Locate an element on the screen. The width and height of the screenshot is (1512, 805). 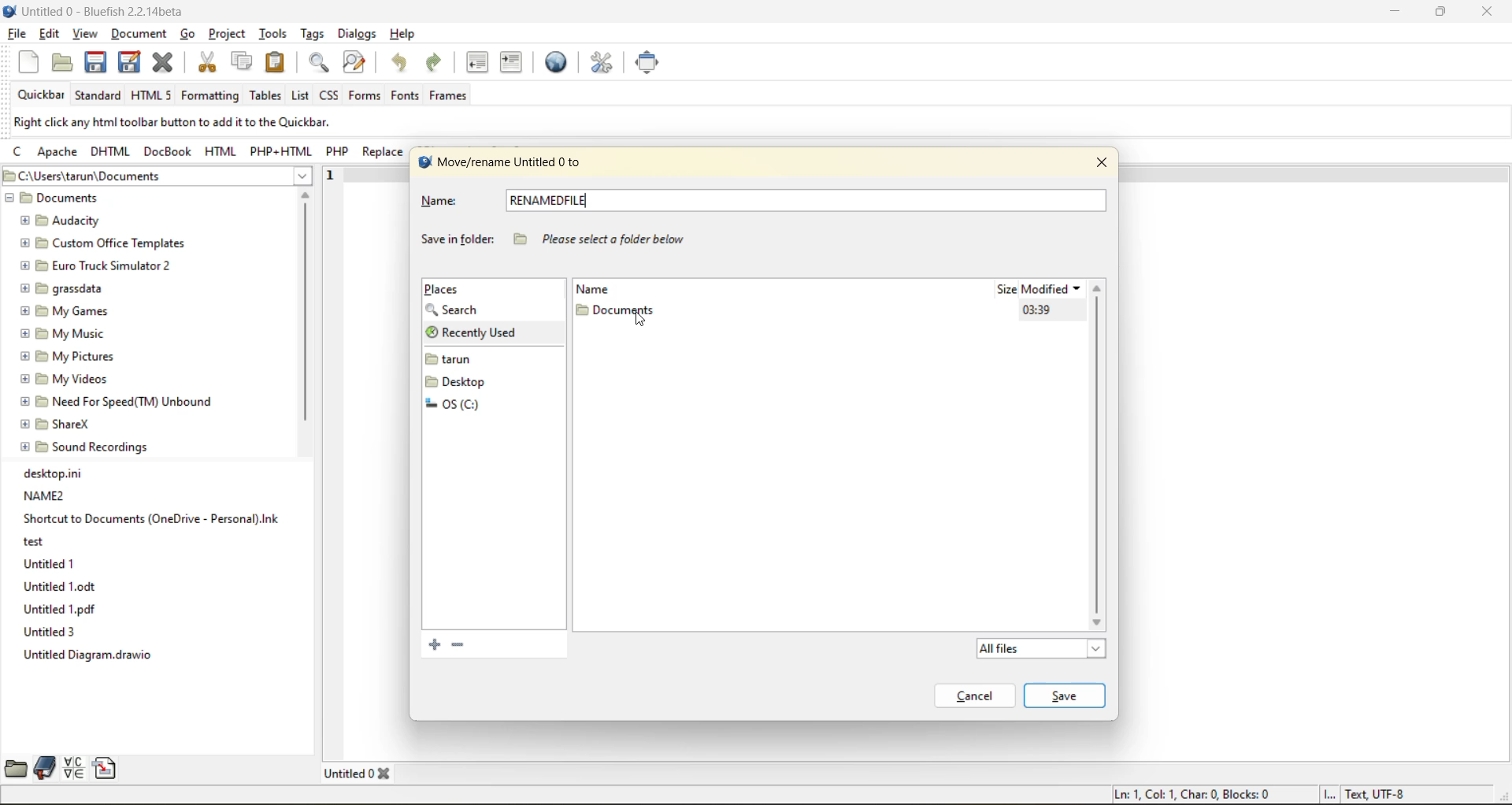
size  is located at coordinates (1004, 291).